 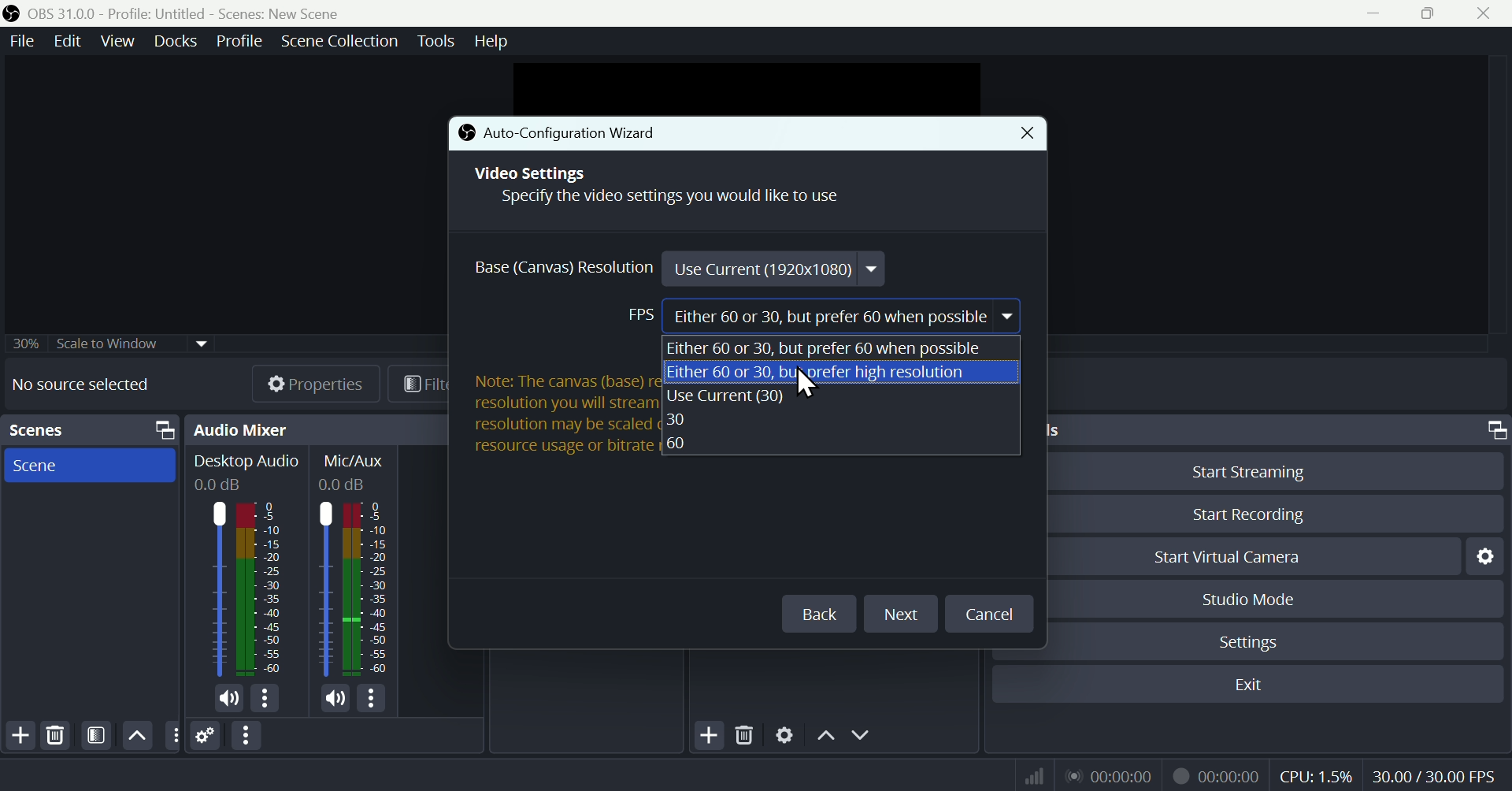 I want to click on options, so click(x=370, y=698).